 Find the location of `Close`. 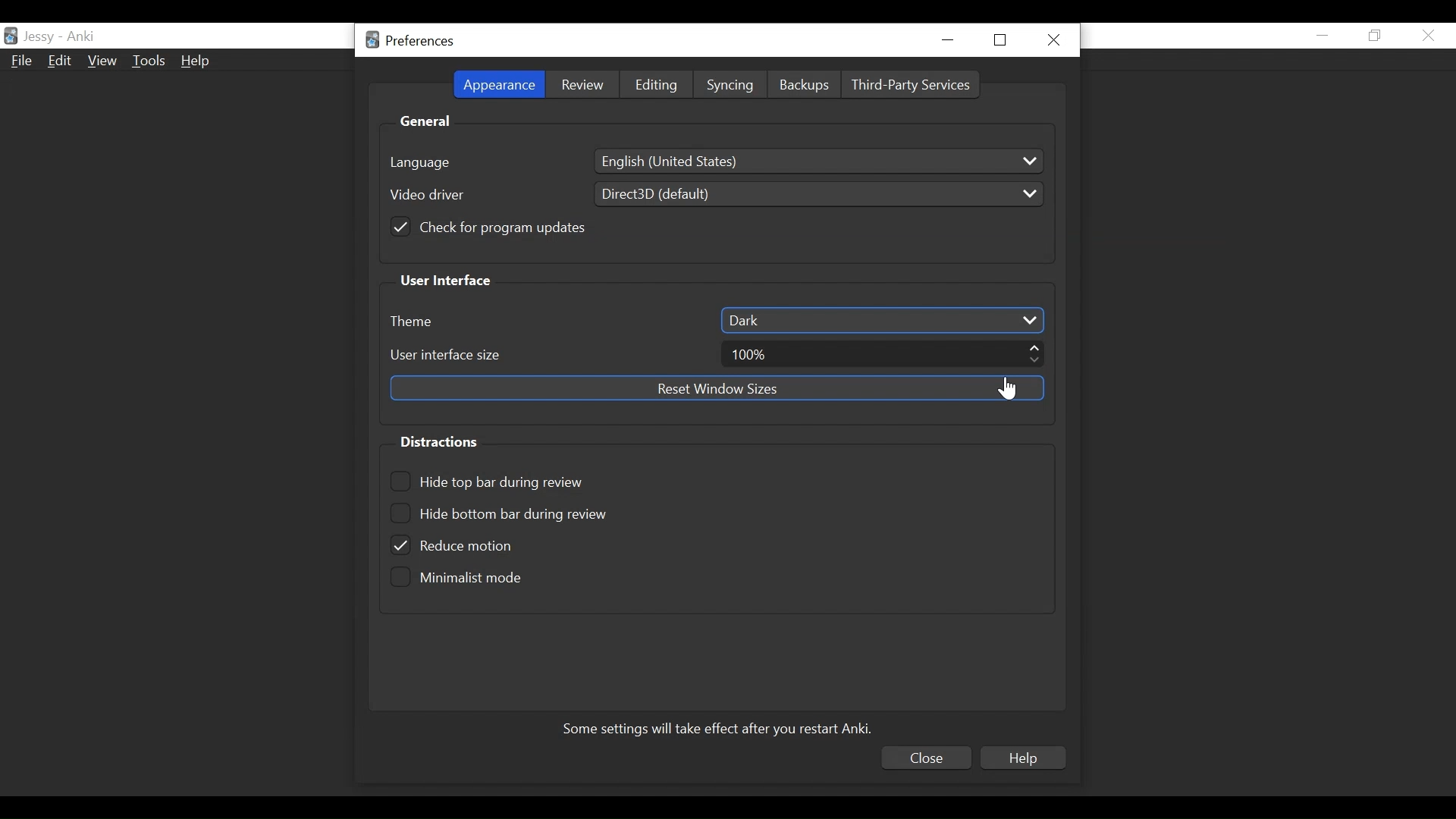

Close is located at coordinates (921, 760).